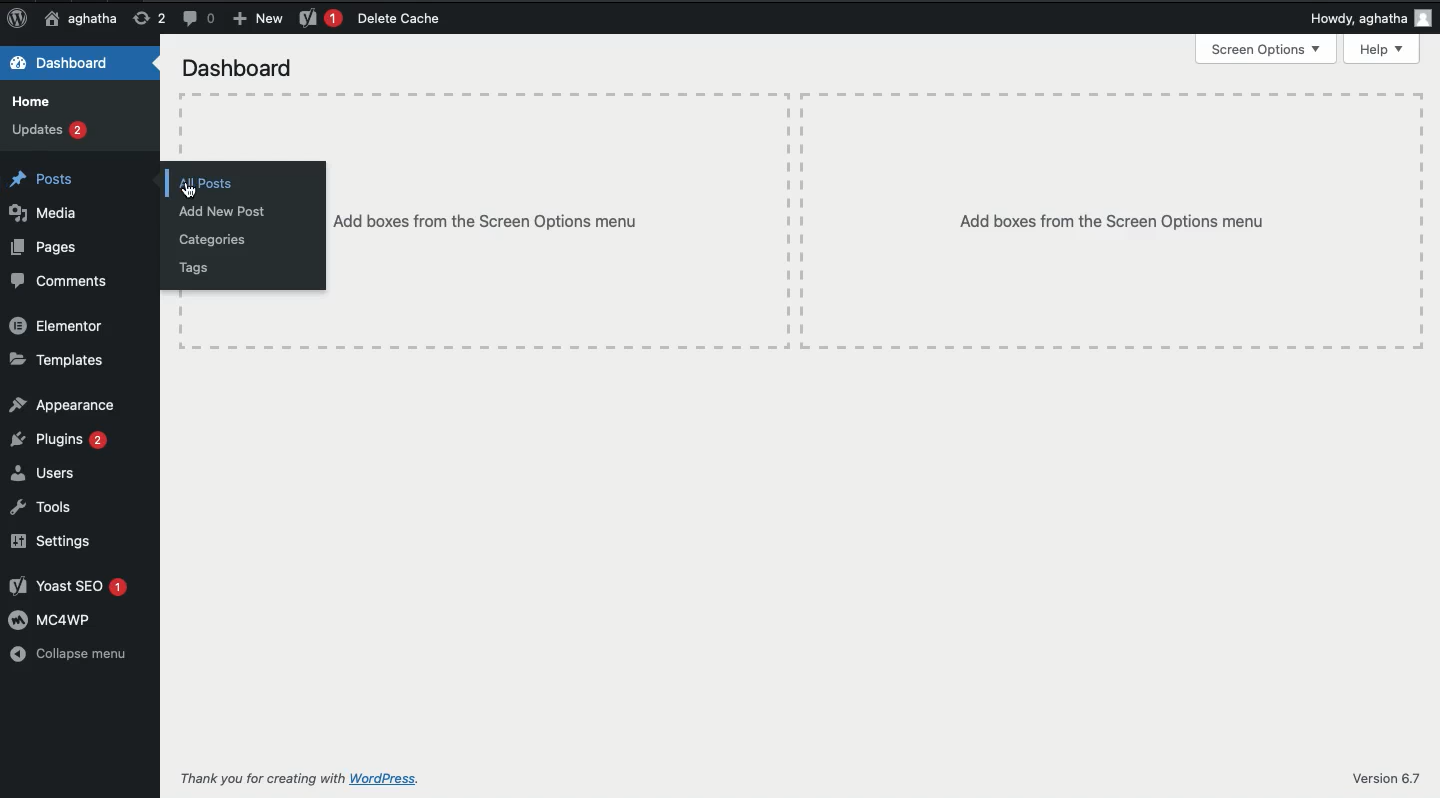 This screenshot has height=798, width=1440. Describe the element at coordinates (149, 21) in the screenshot. I see `Return` at that location.